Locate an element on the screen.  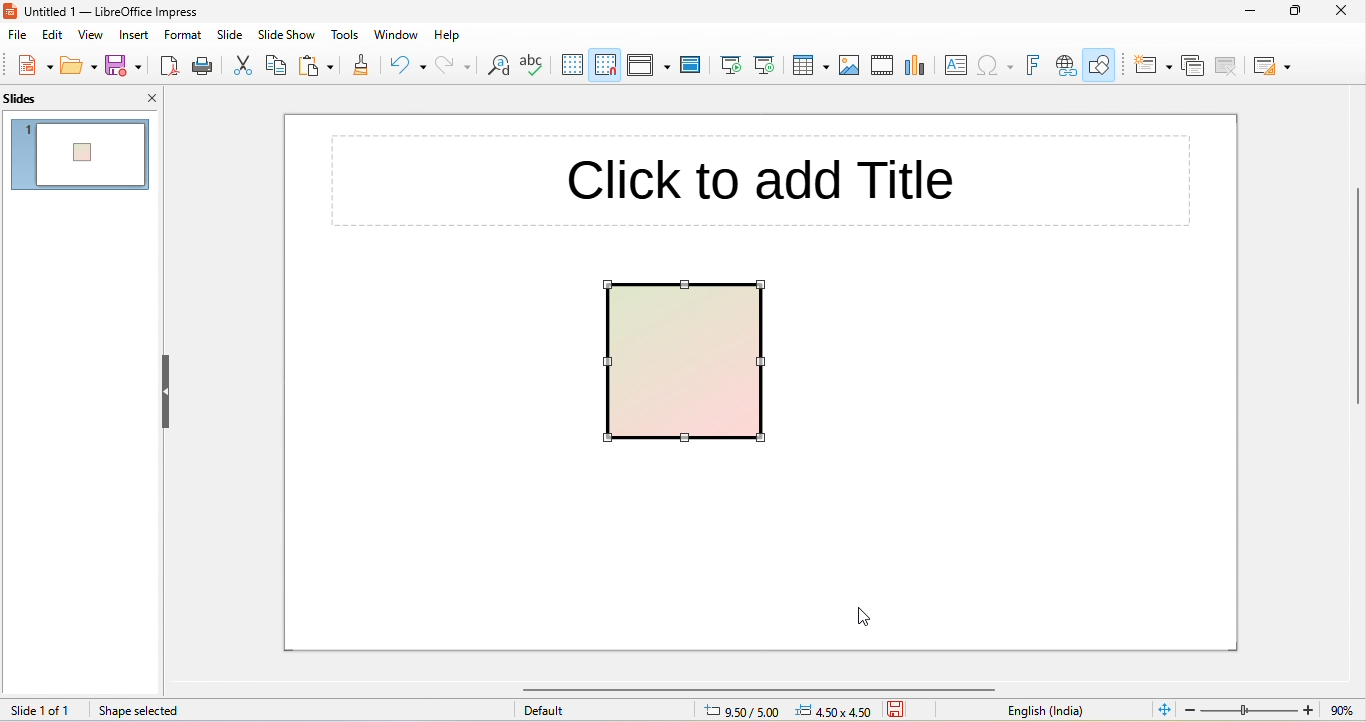
table is located at coordinates (809, 65).